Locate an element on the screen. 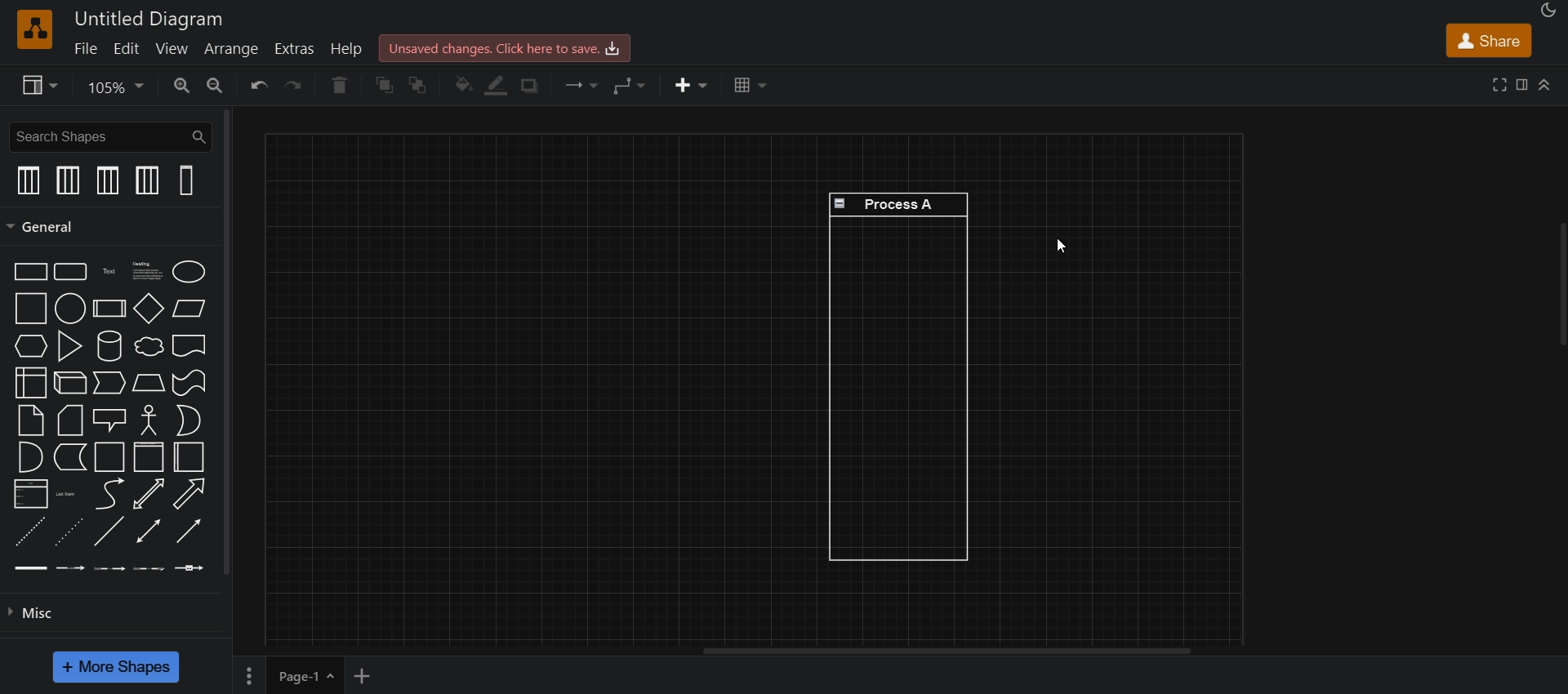  diamond is located at coordinates (149, 309).